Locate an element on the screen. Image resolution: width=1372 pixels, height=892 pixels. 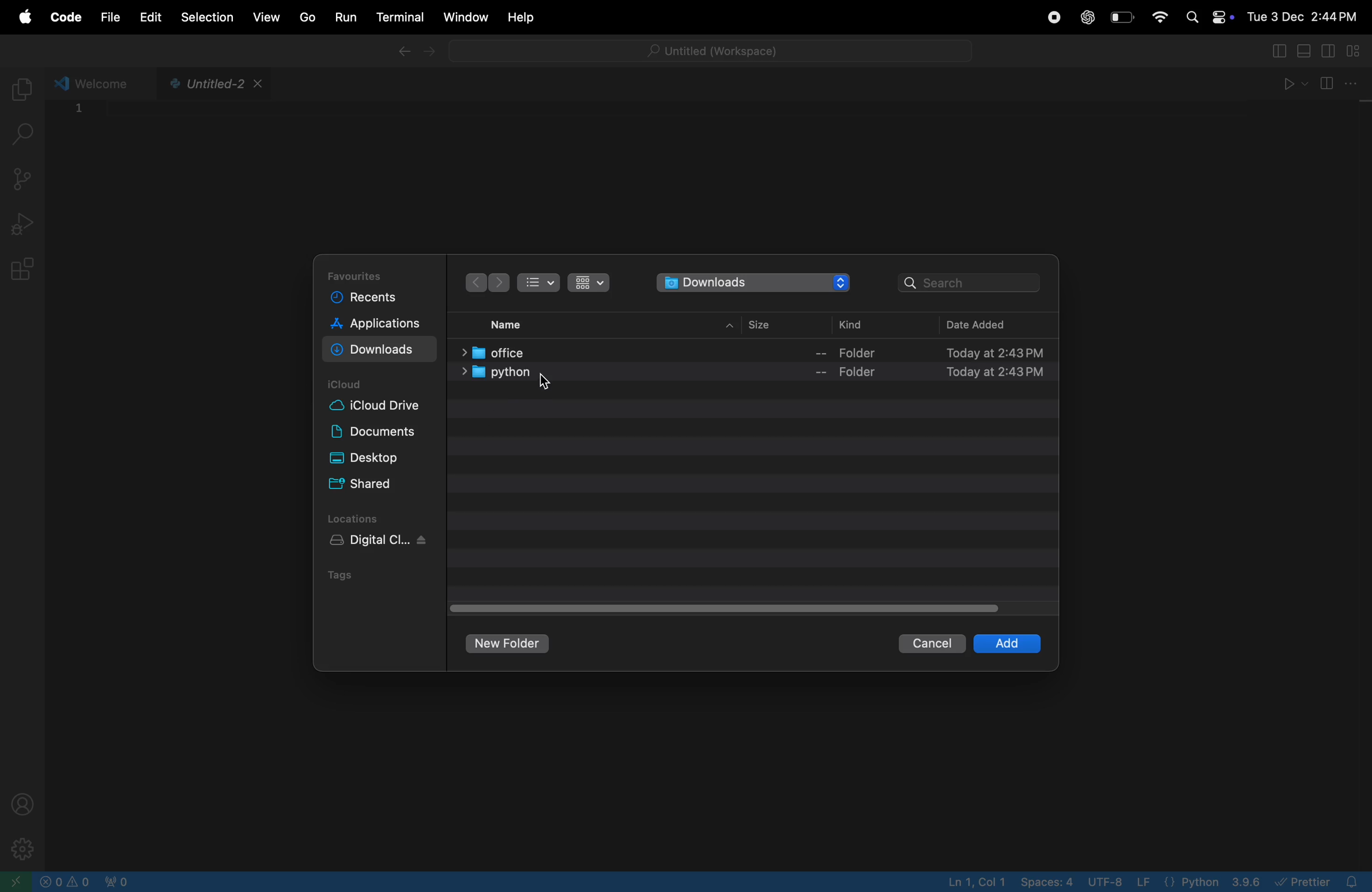
selection is located at coordinates (208, 17).